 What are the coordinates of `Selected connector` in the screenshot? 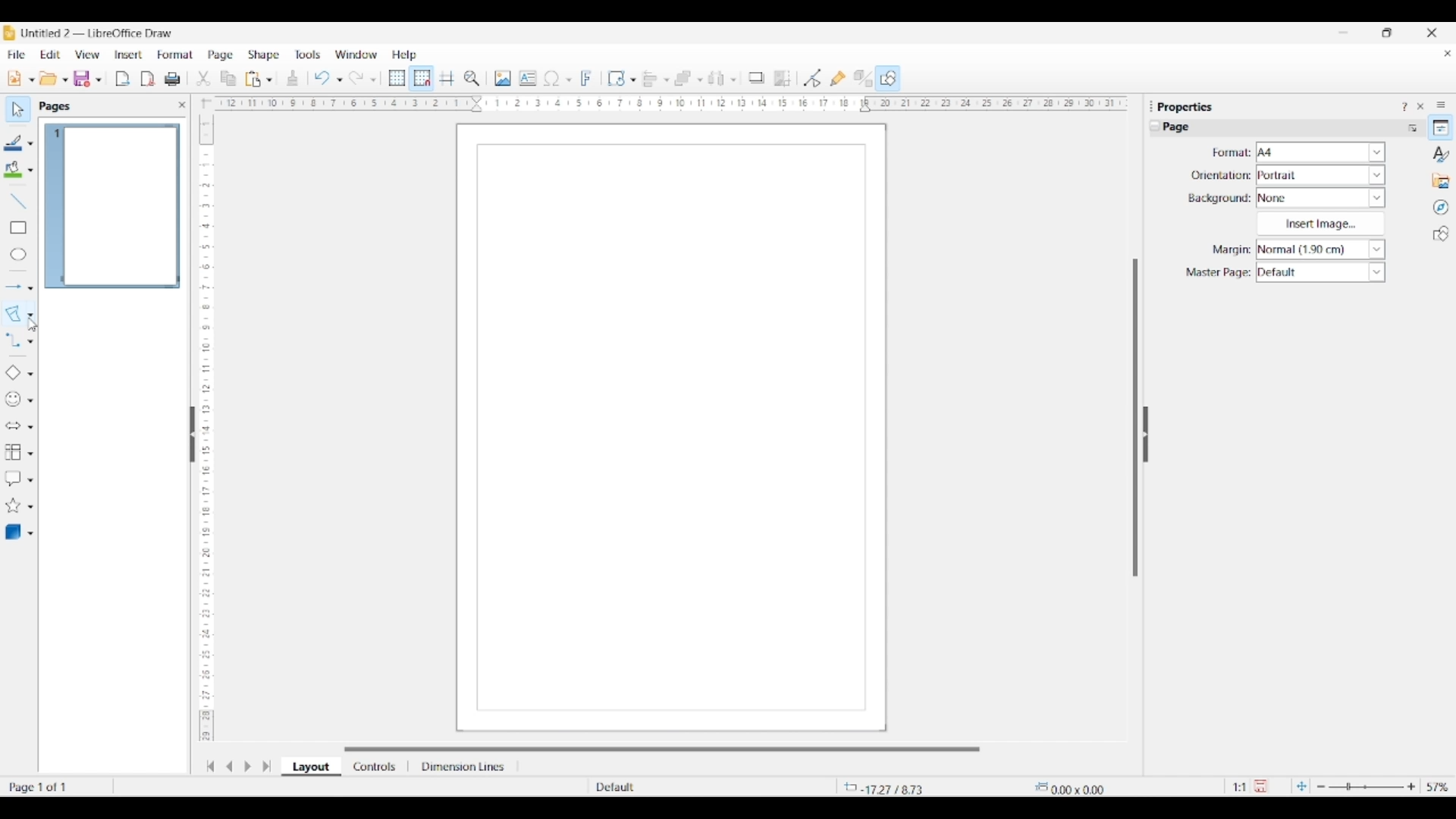 It's located at (12, 339).